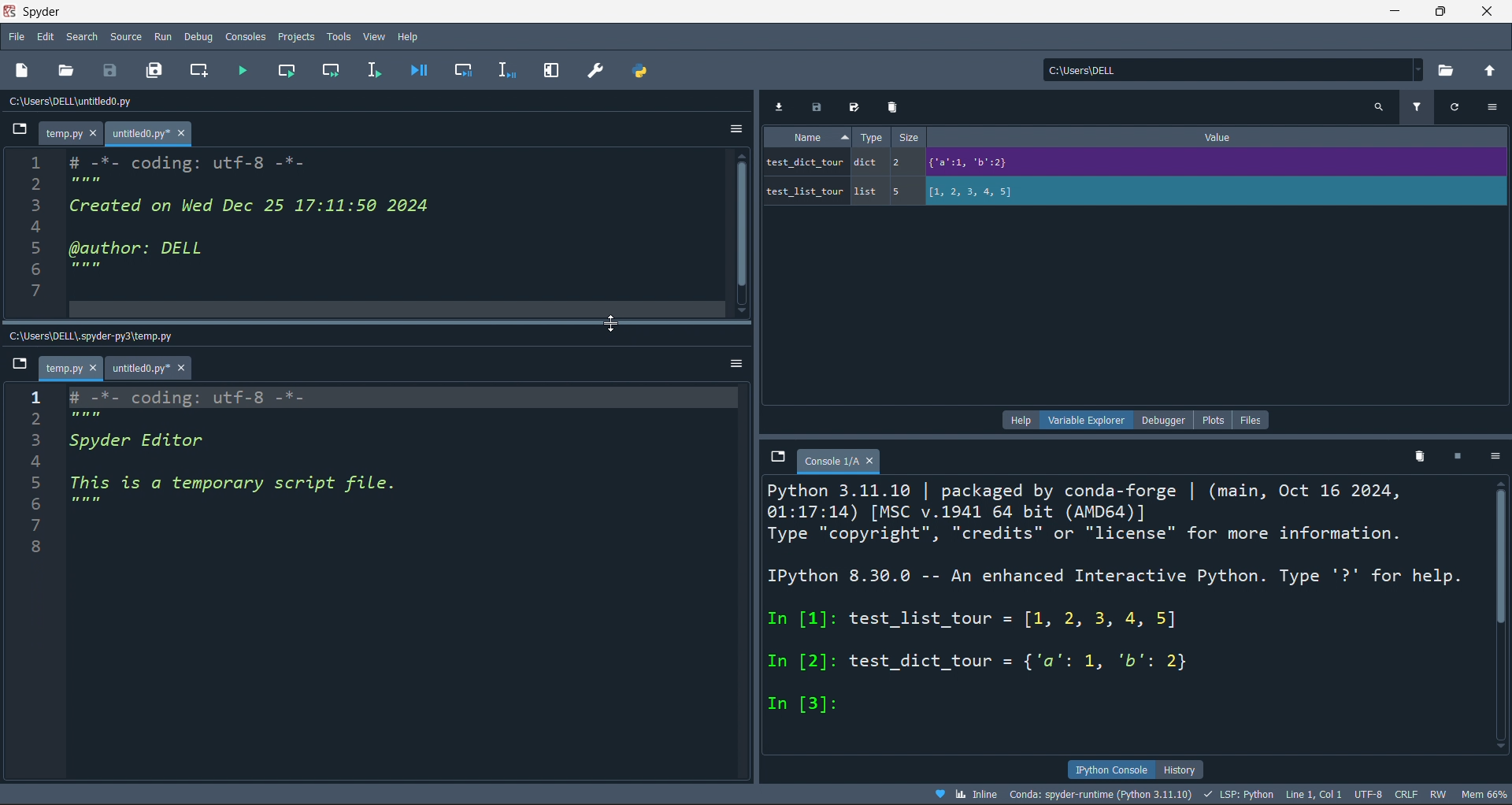 The height and width of the screenshot is (805, 1512). What do you see at coordinates (1378, 108) in the screenshot?
I see `search variables` at bounding box center [1378, 108].